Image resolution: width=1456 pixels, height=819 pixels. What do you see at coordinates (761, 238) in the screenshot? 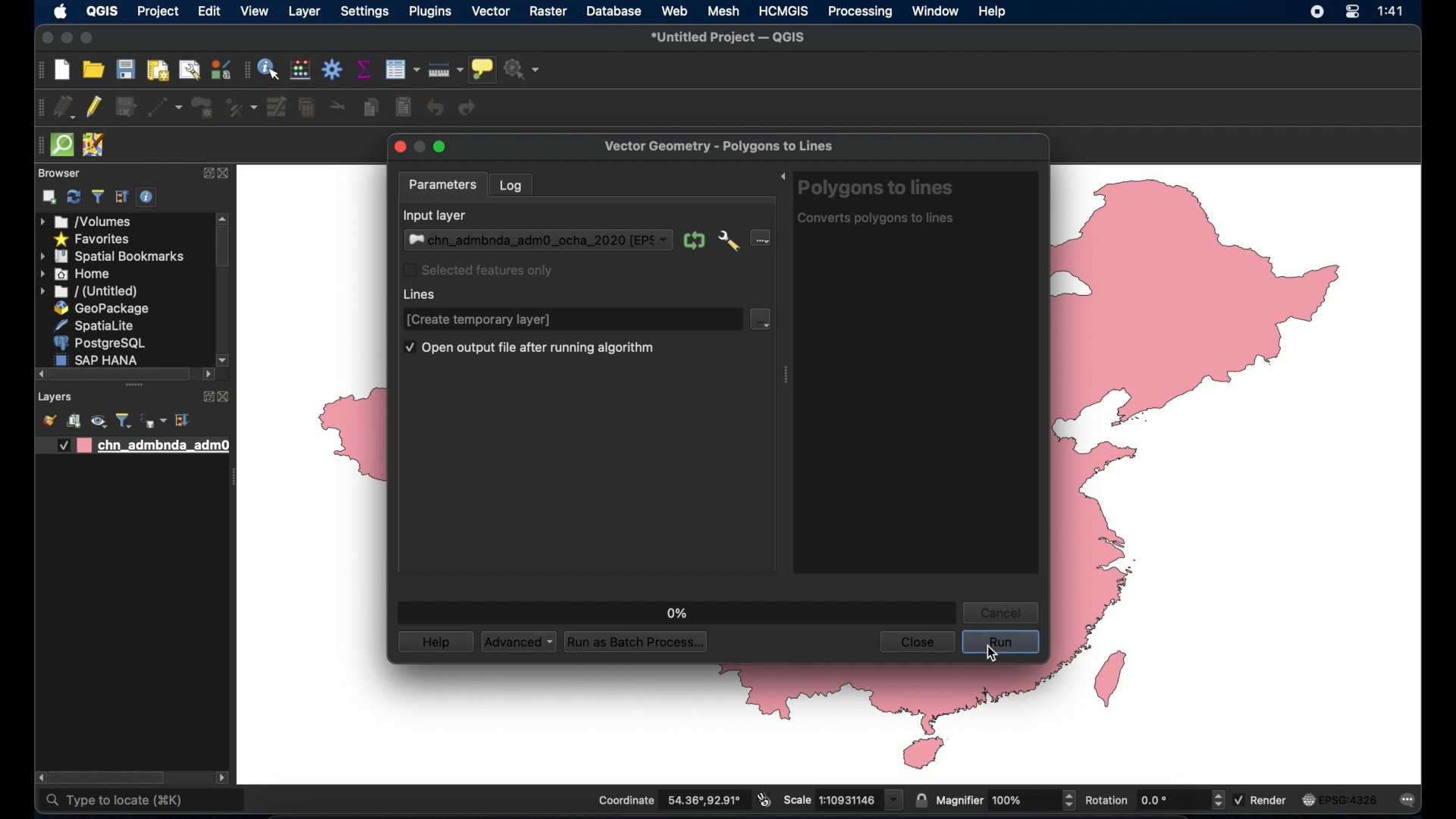
I see `input layer dropdown menu` at bounding box center [761, 238].